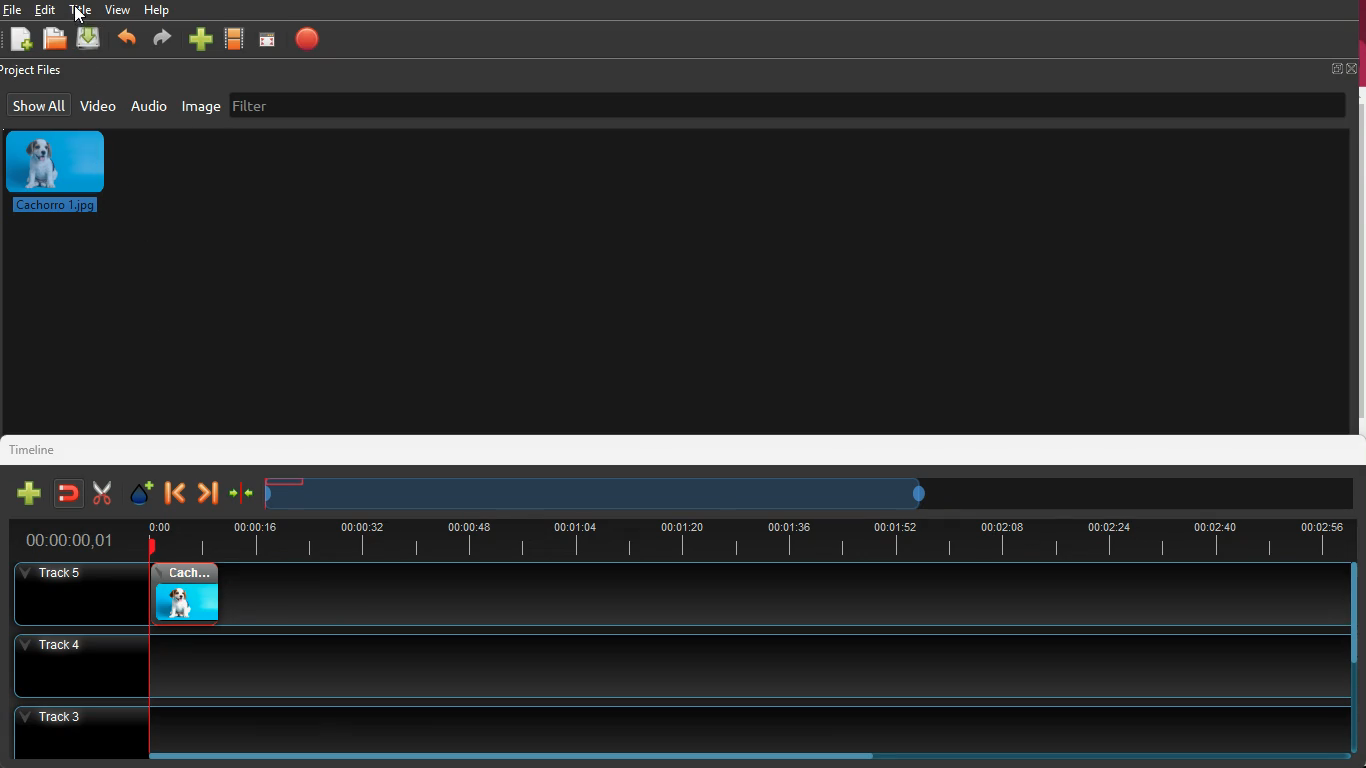 The image size is (1366, 768). Describe the element at coordinates (98, 105) in the screenshot. I see `video` at that location.